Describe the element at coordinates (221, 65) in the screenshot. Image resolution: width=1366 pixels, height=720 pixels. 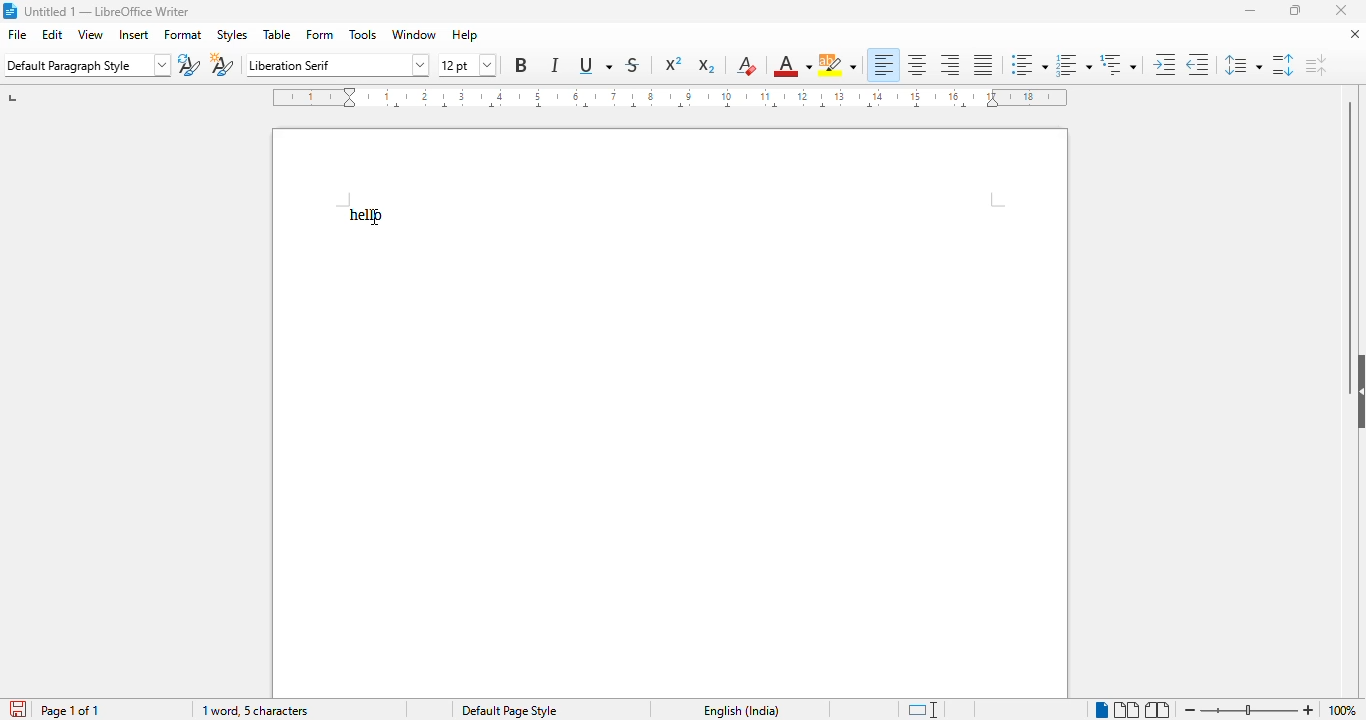
I see `new style from selection` at that location.